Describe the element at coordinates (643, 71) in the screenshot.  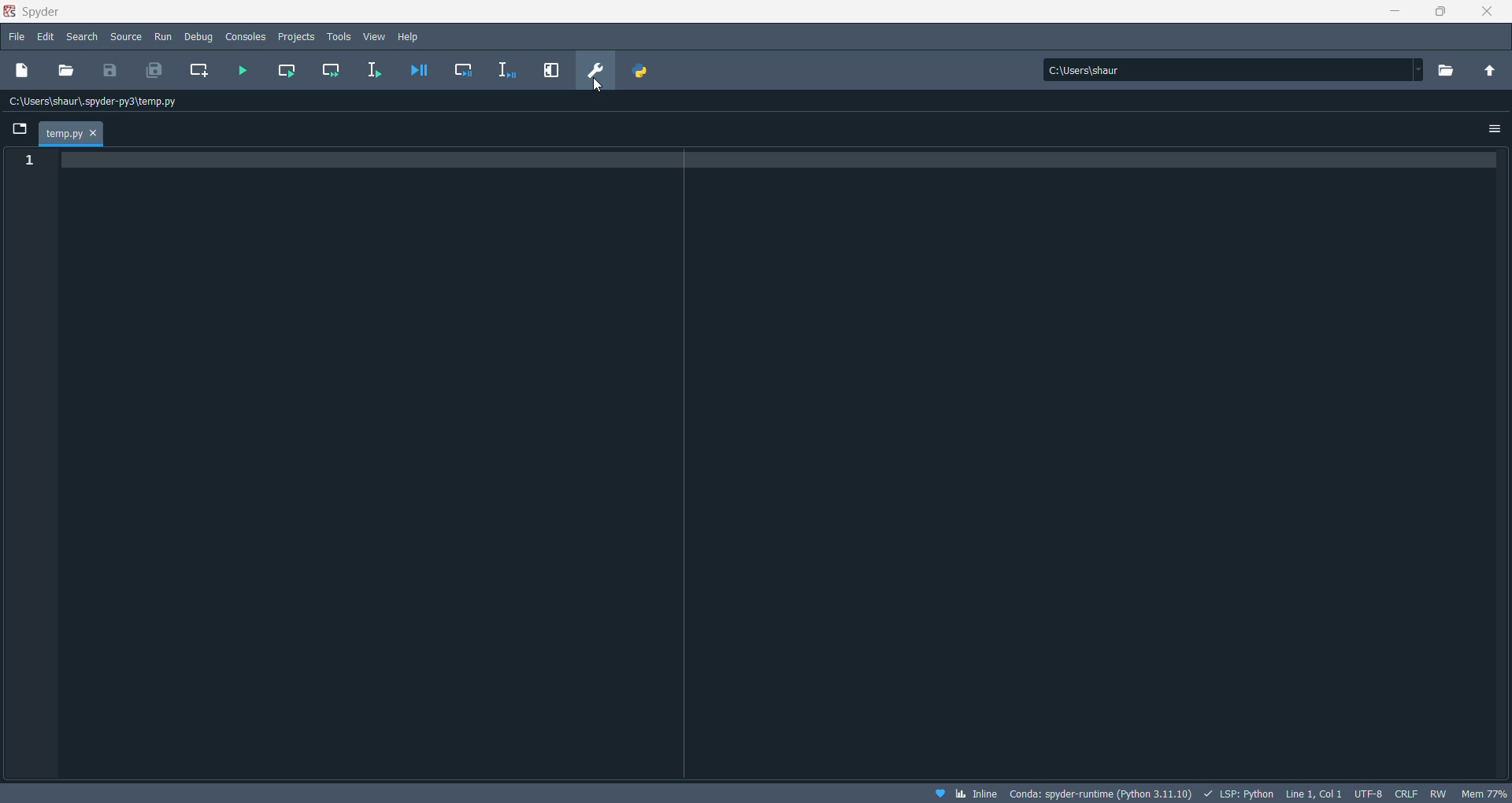
I see `PYTHONPATH MANAGER` at that location.